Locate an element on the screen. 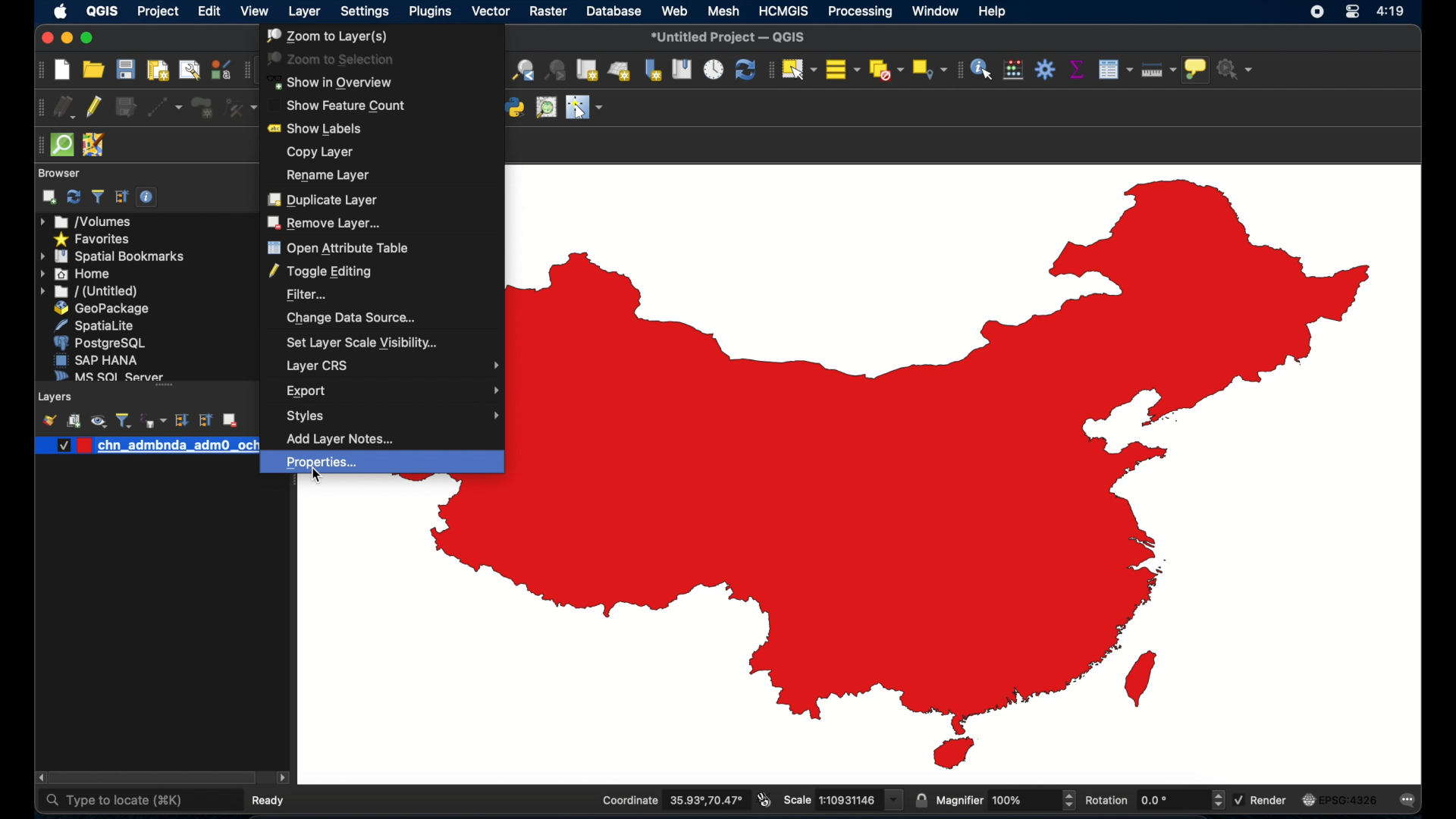 The height and width of the screenshot is (819, 1456). current edits is located at coordinates (64, 108).